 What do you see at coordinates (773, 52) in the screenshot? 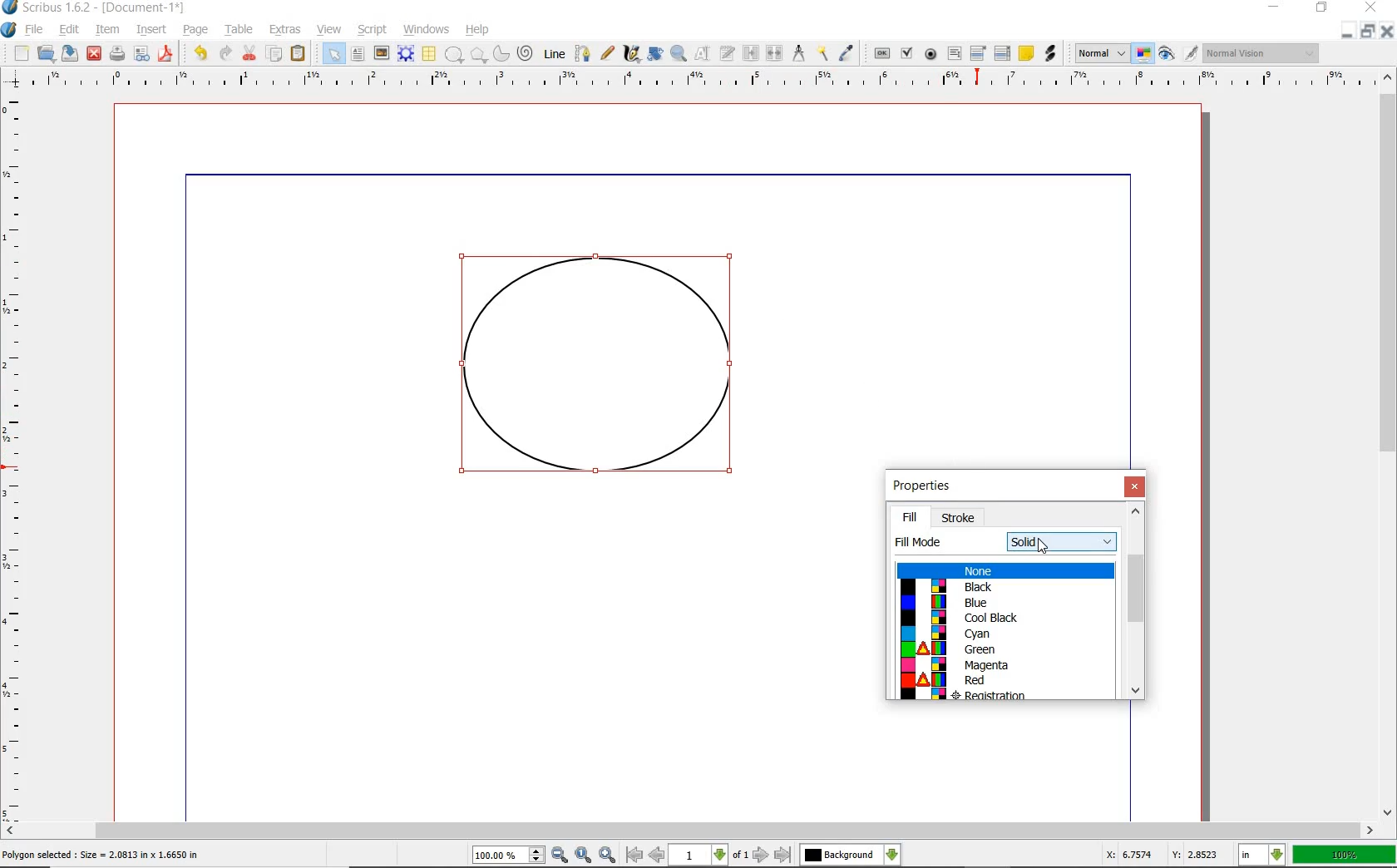
I see `UNLINK TEXT FRAME` at bounding box center [773, 52].